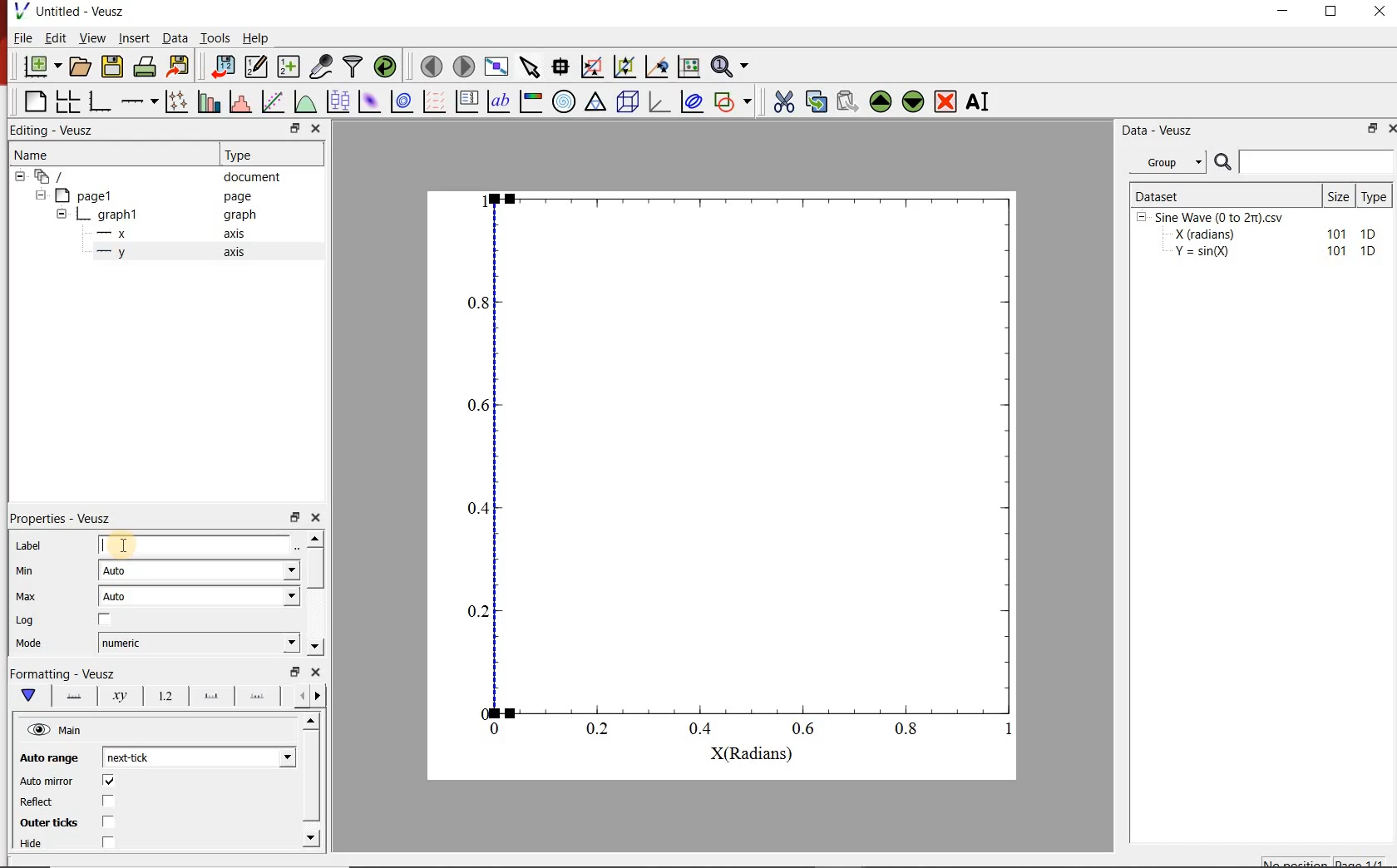  What do you see at coordinates (35, 101) in the screenshot?
I see `Blank page` at bounding box center [35, 101].